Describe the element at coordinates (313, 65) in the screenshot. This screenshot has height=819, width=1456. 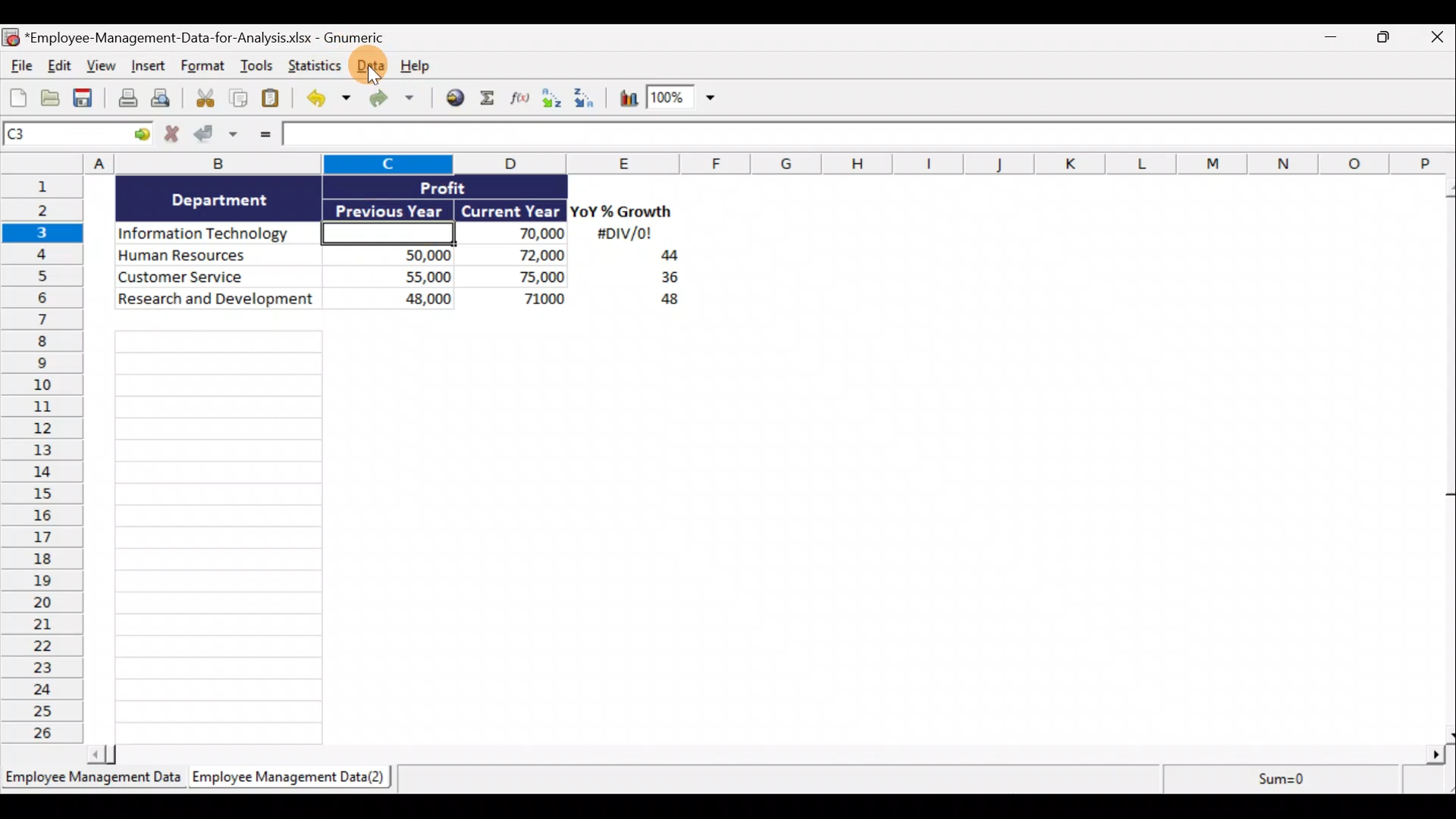
I see `Statistics` at that location.